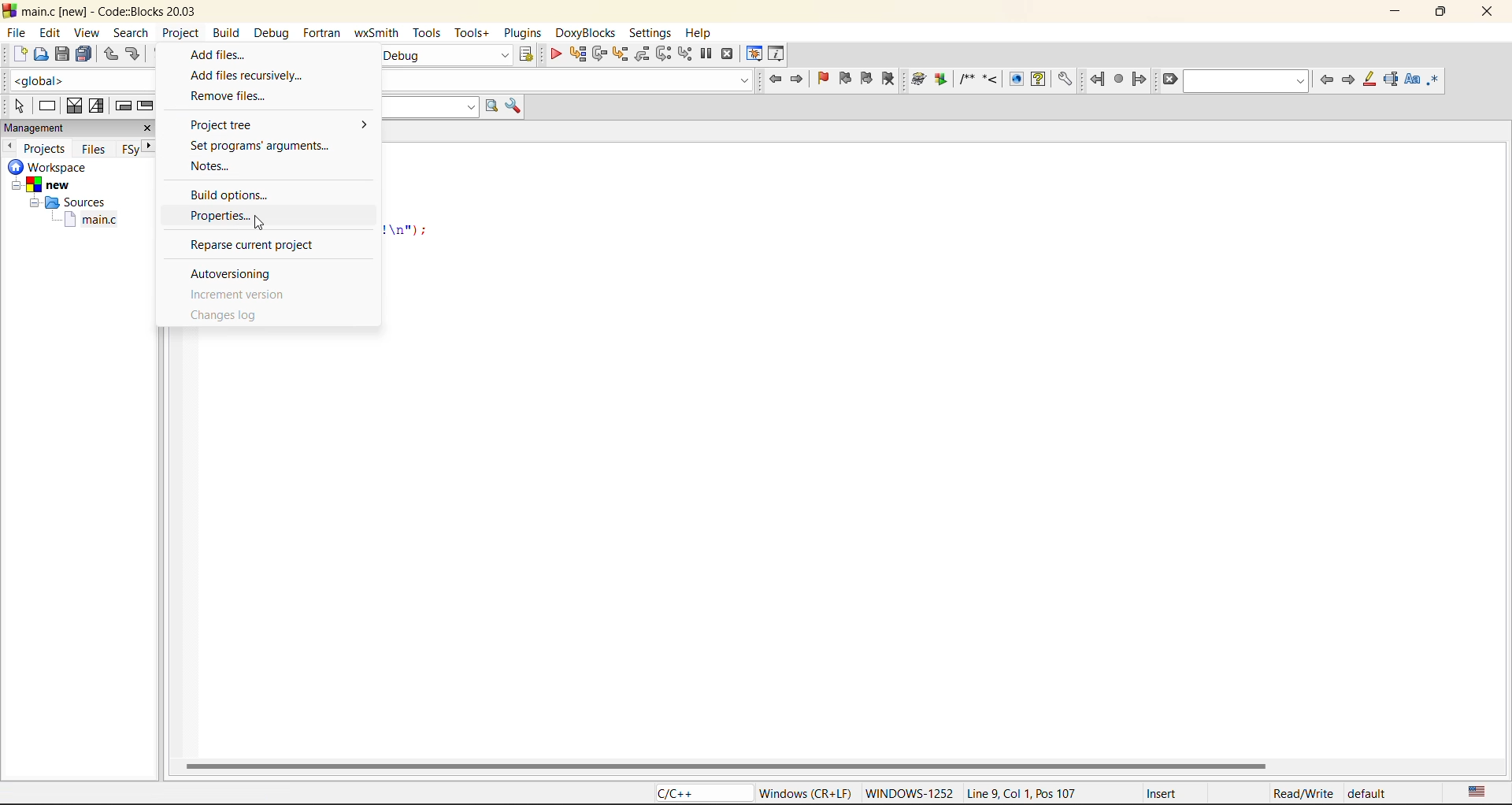  I want to click on exit condition loop, so click(144, 106).